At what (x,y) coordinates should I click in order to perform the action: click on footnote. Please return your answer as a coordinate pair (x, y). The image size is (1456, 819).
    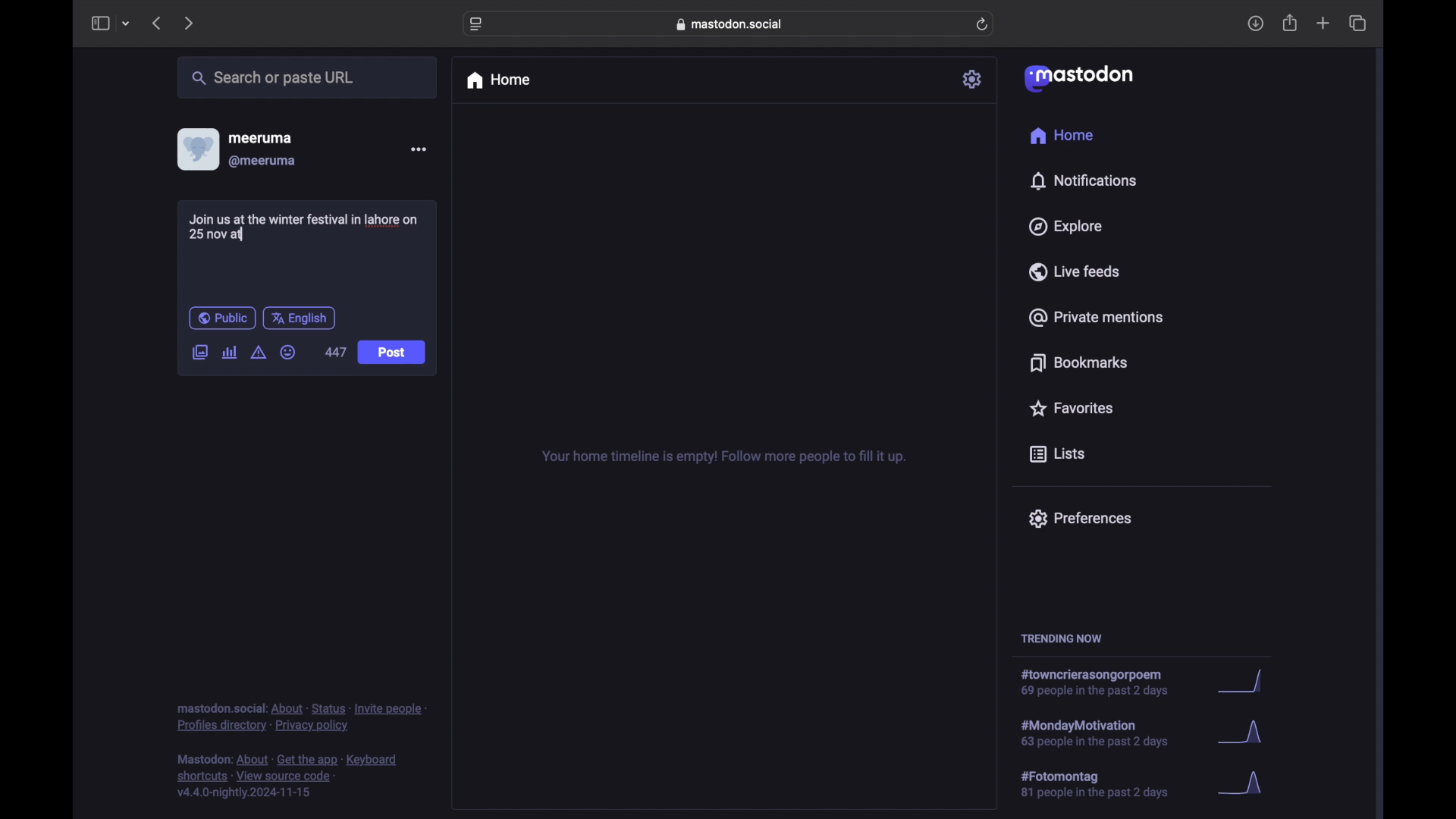
    Looking at the image, I should click on (290, 777).